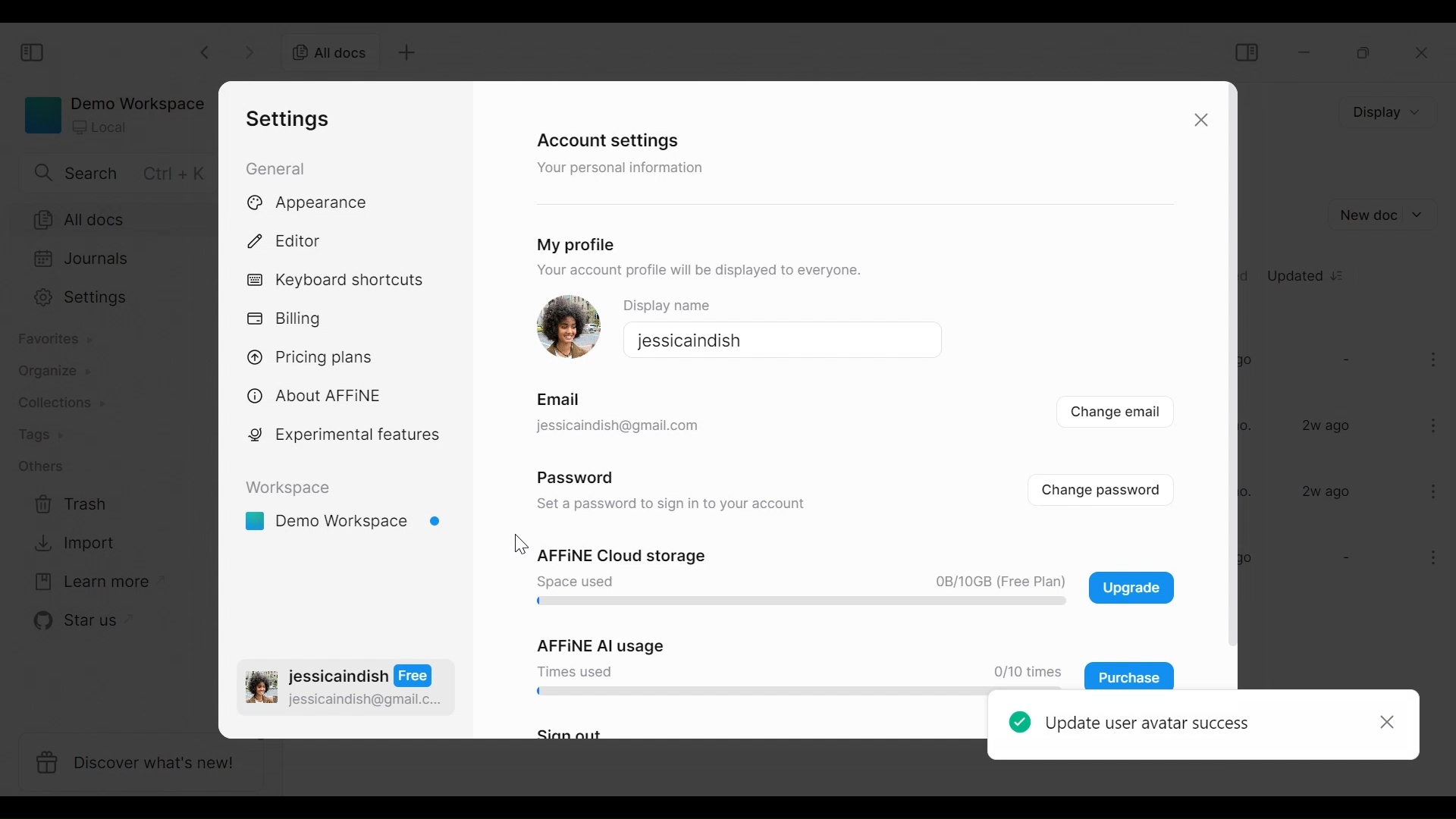 The width and height of the screenshot is (1456, 819). Describe the element at coordinates (795, 602) in the screenshot. I see `progress bar` at that location.